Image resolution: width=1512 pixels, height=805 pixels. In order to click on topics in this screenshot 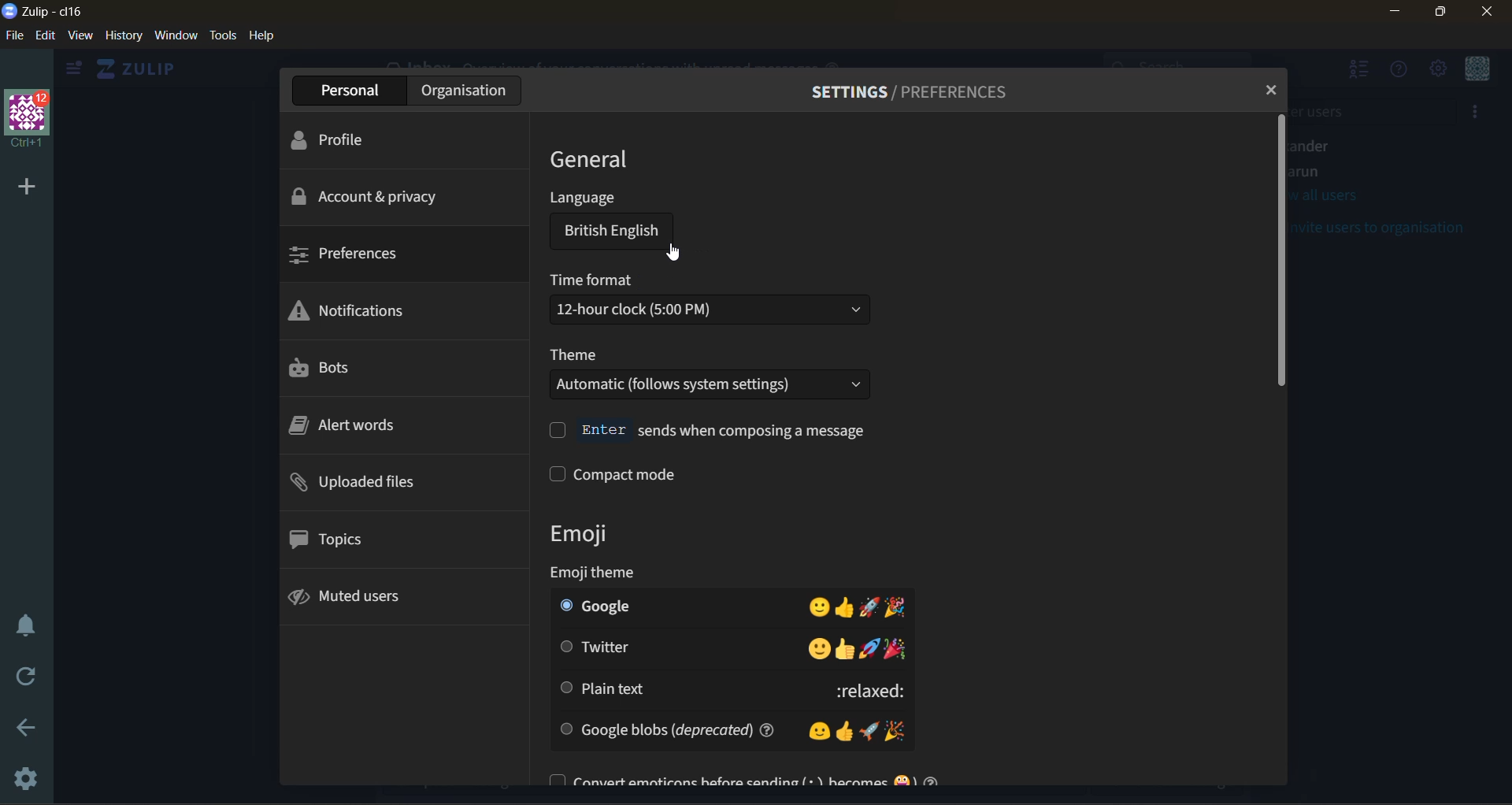, I will do `click(330, 542)`.